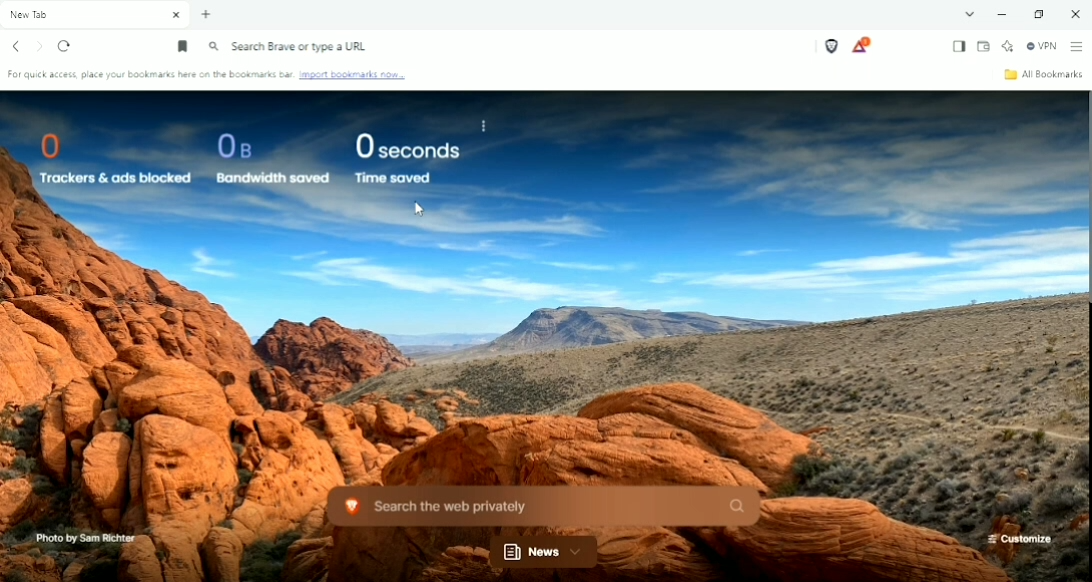 The image size is (1092, 582). I want to click on Wallet, so click(984, 46).